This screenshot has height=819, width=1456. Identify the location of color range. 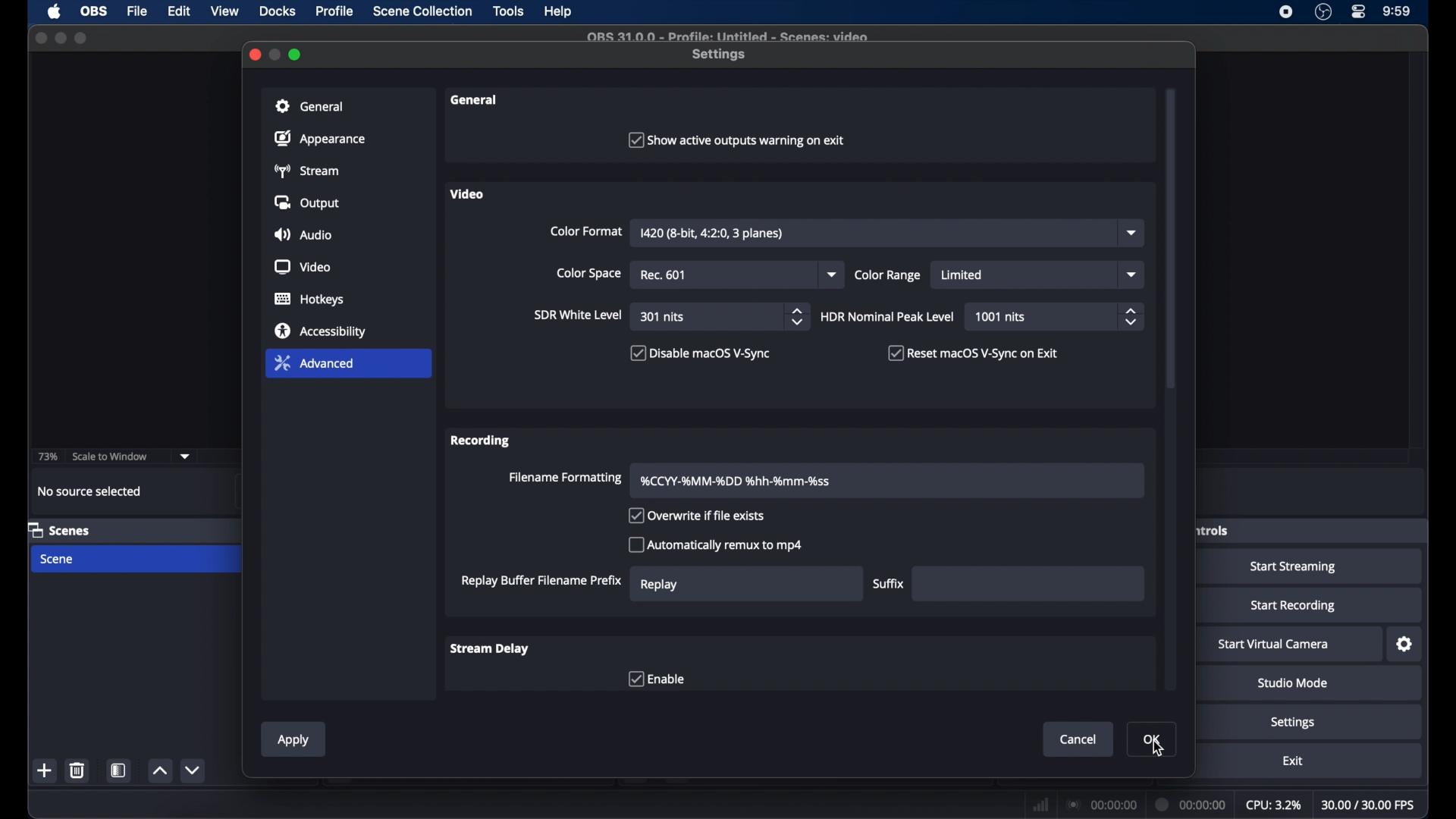
(888, 275).